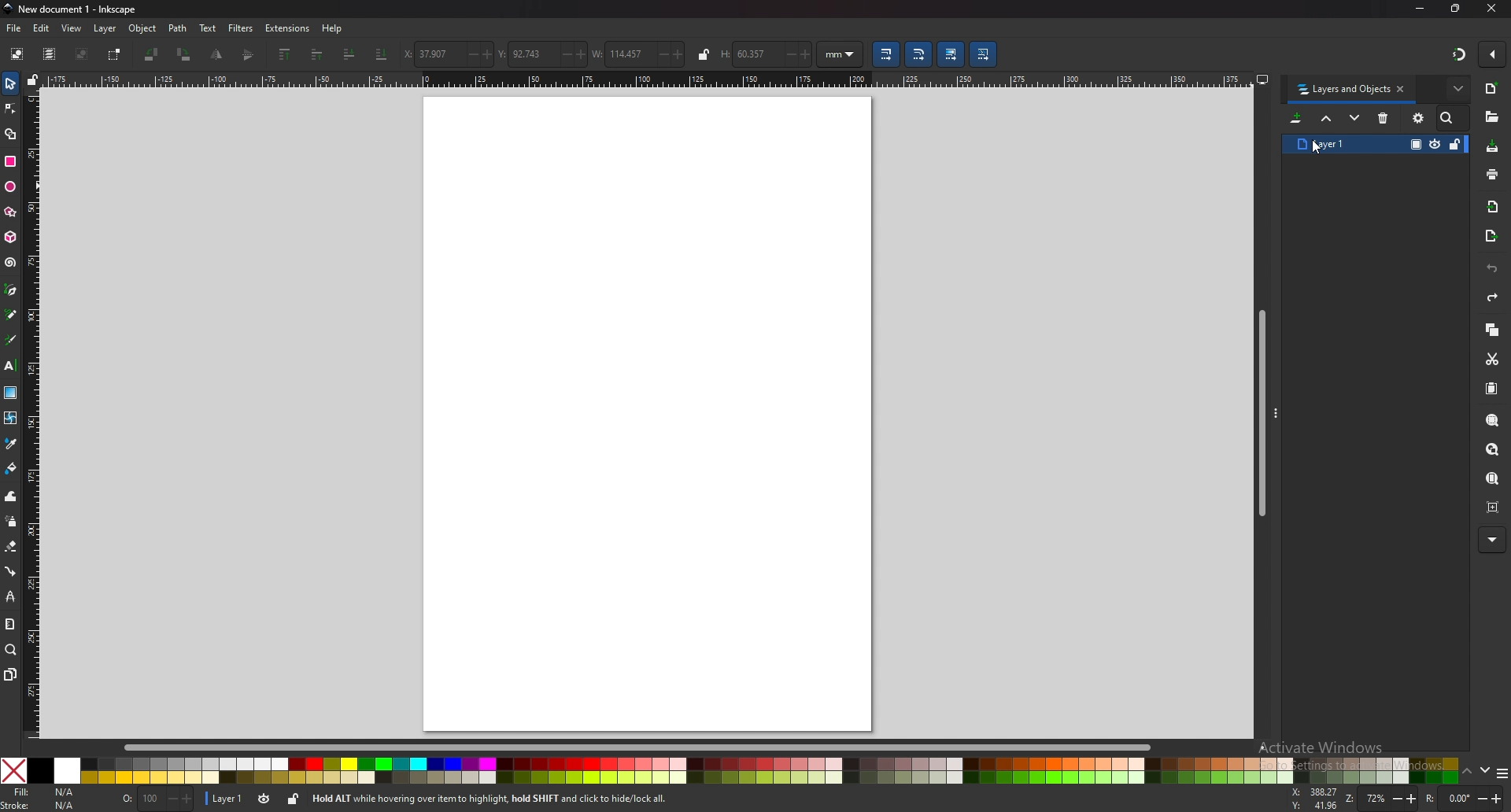  I want to click on scroll bar, so click(1261, 413).